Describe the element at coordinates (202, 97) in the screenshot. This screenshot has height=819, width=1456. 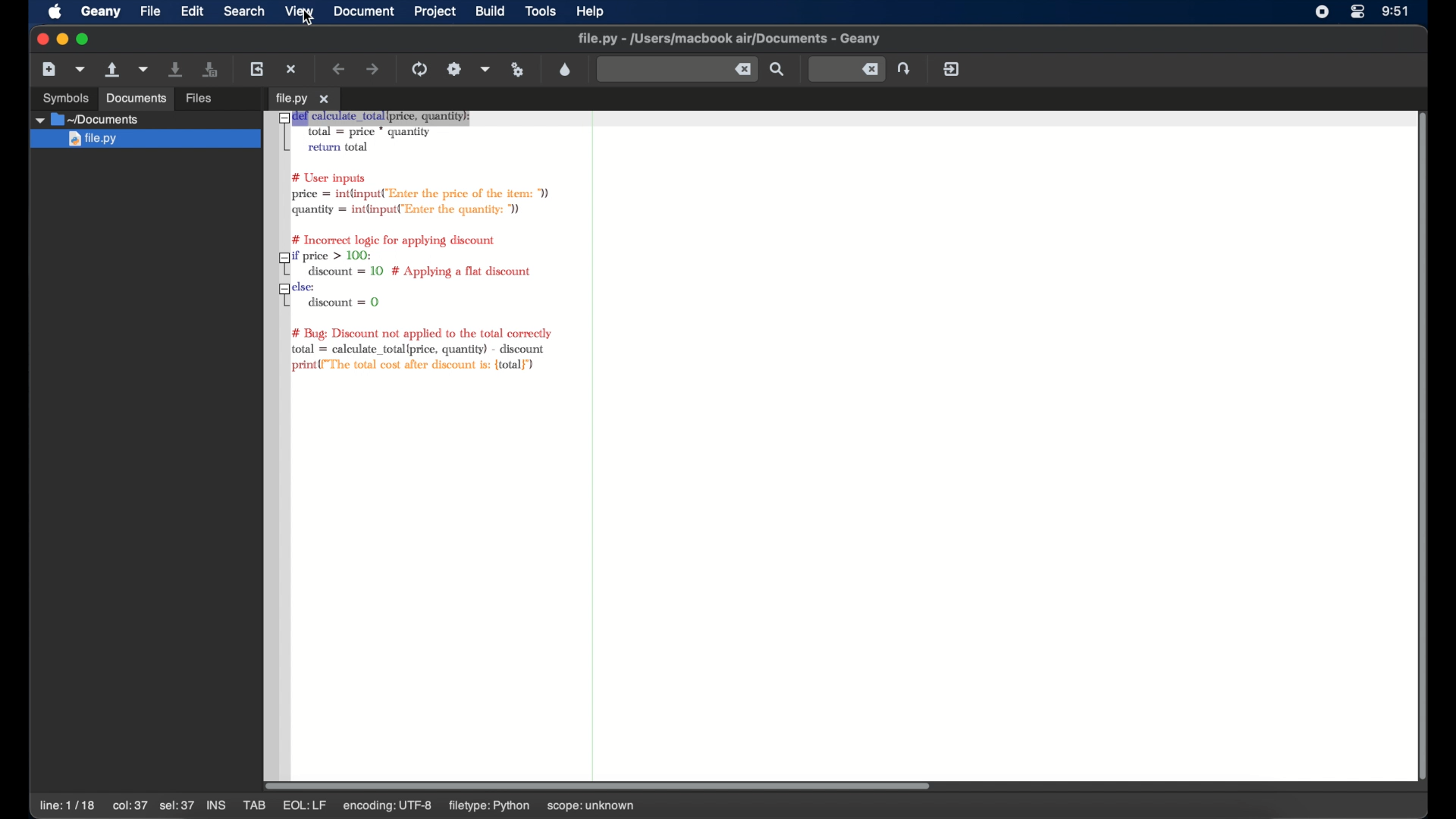
I see `files ` at that location.